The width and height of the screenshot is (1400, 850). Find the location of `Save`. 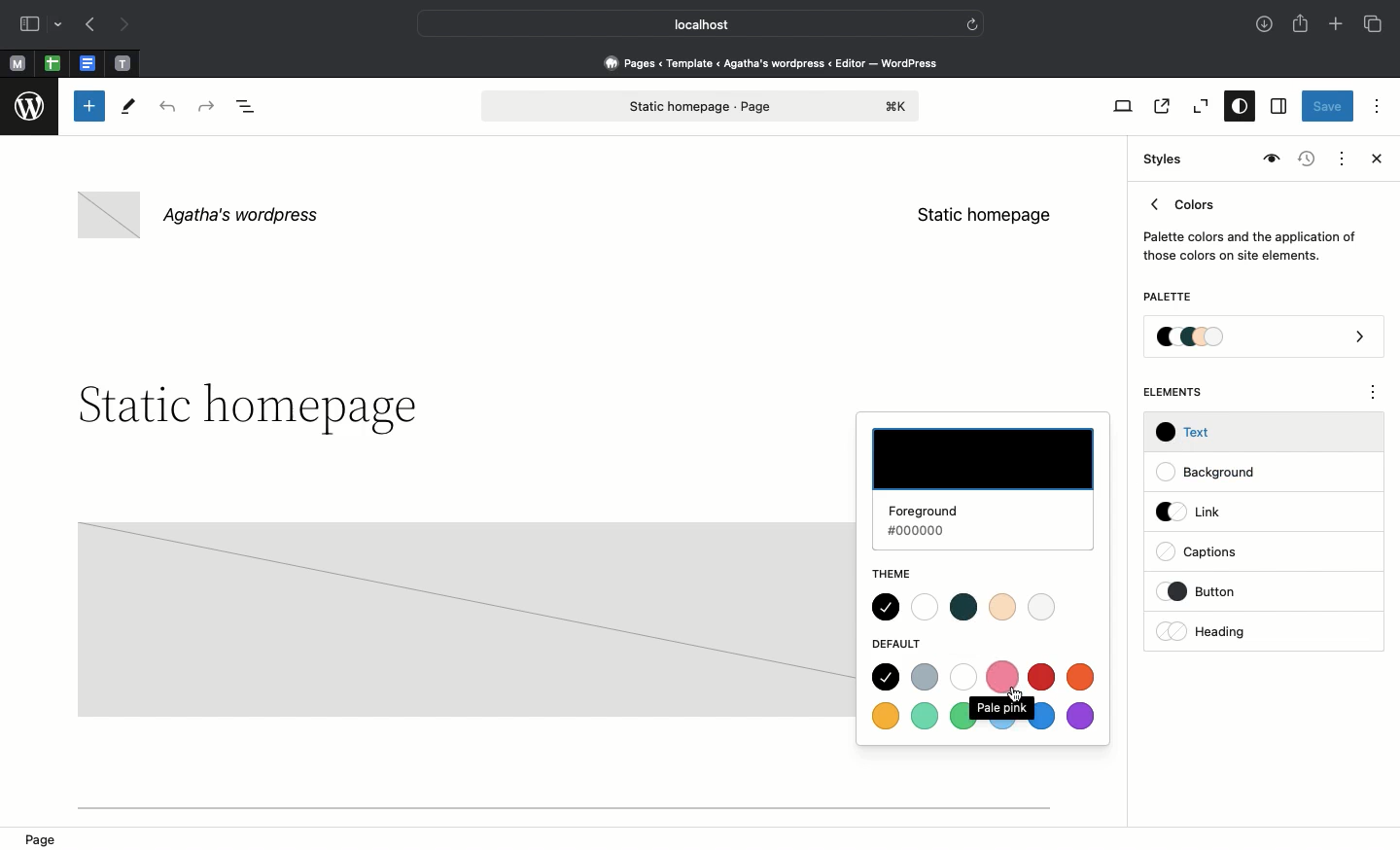

Save is located at coordinates (1328, 108).